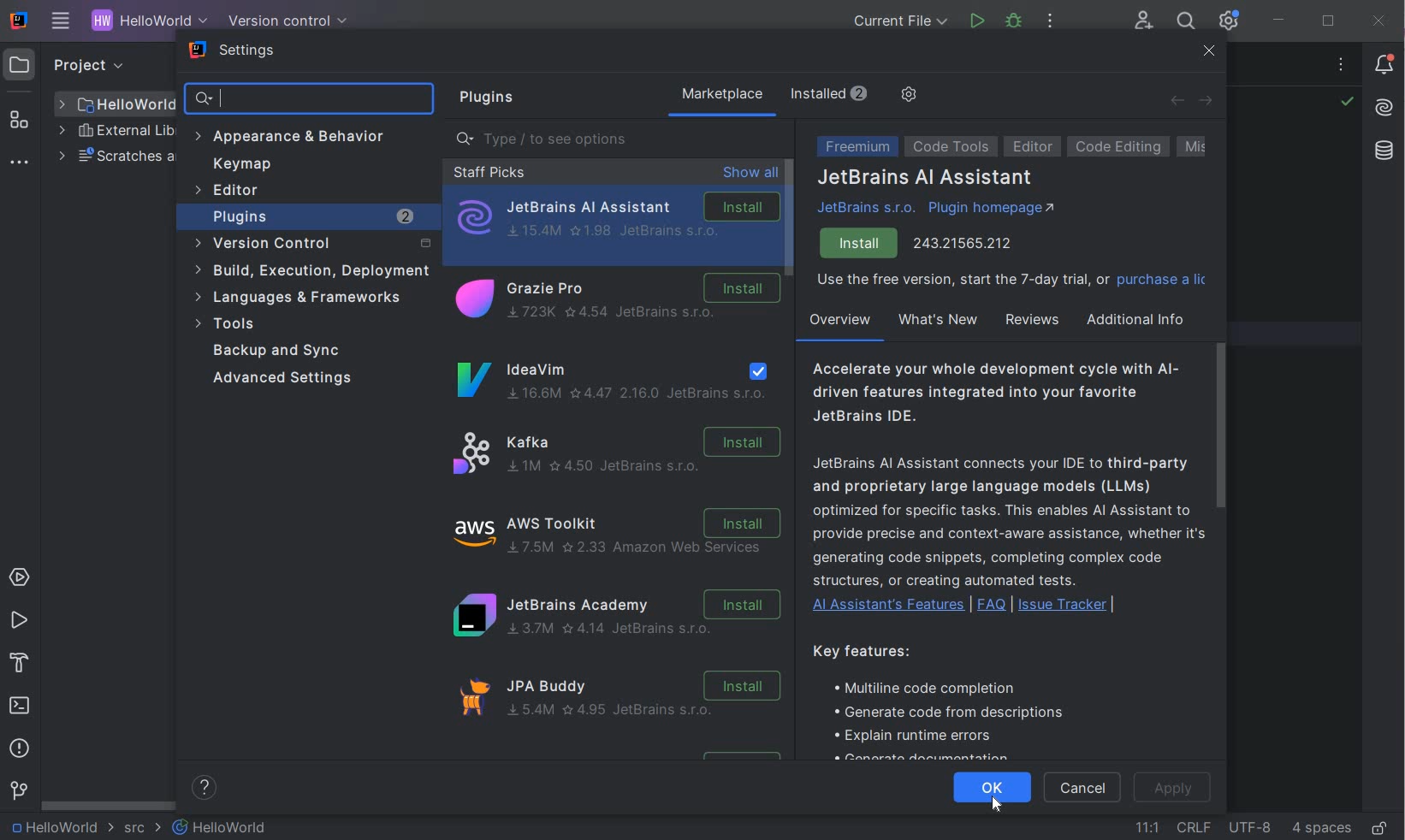 This screenshot has width=1405, height=840. What do you see at coordinates (791, 218) in the screenshot?
I see `scrollbar` at bounding box center [791, 218].